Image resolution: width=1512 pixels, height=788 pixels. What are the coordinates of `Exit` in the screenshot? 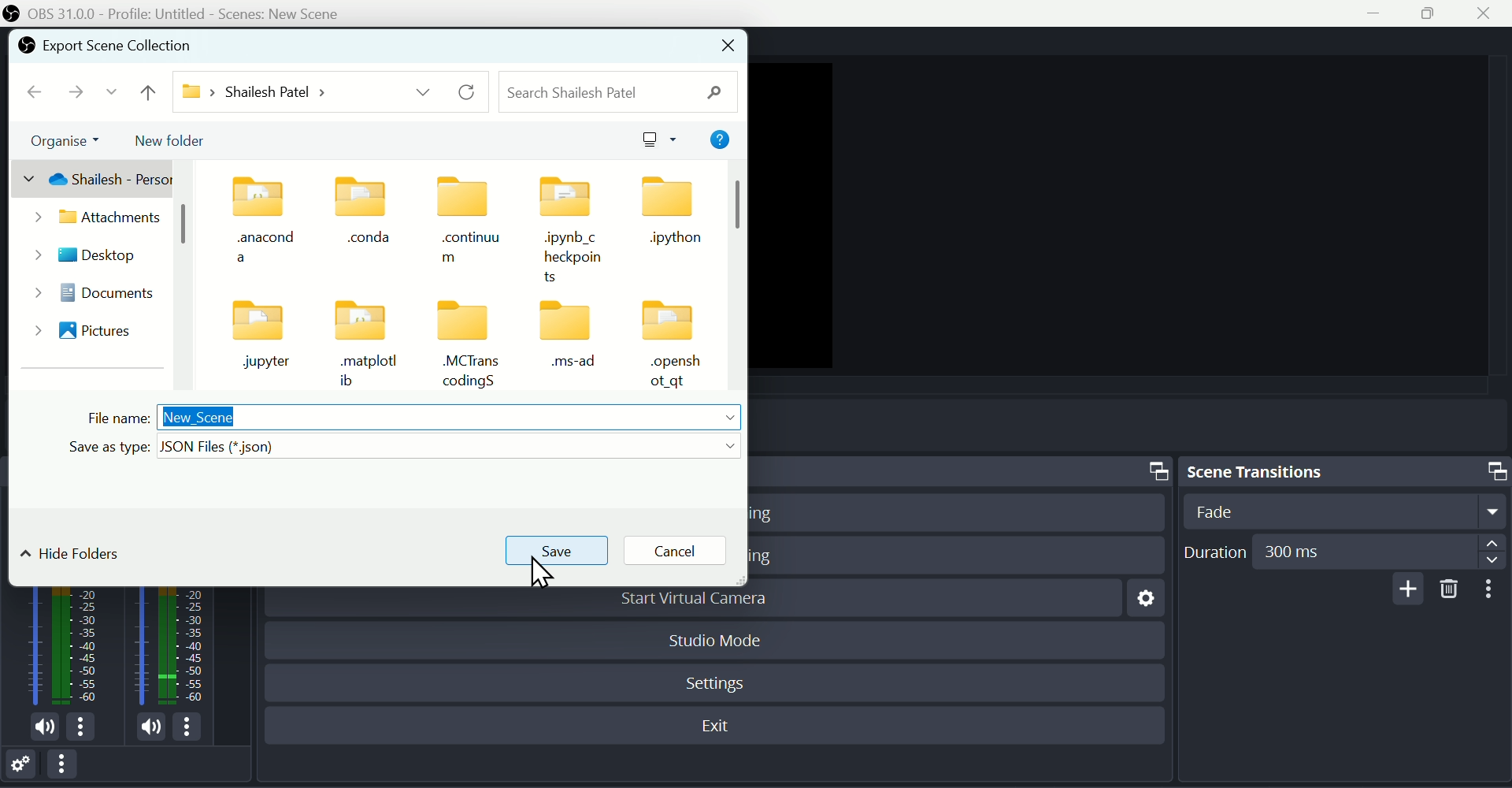 It's located at (721, 727).